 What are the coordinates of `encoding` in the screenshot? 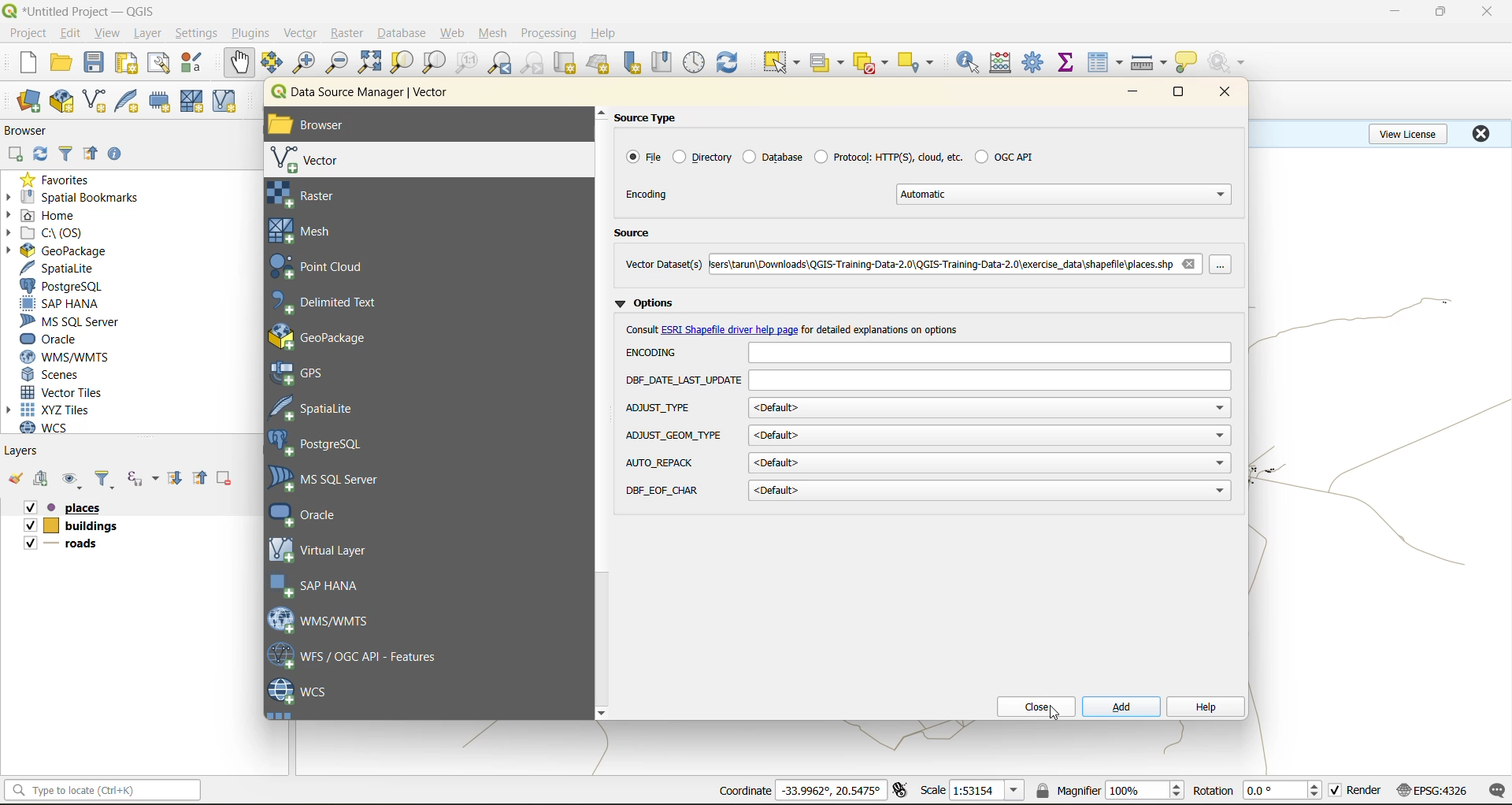 It's located at (656, 352).